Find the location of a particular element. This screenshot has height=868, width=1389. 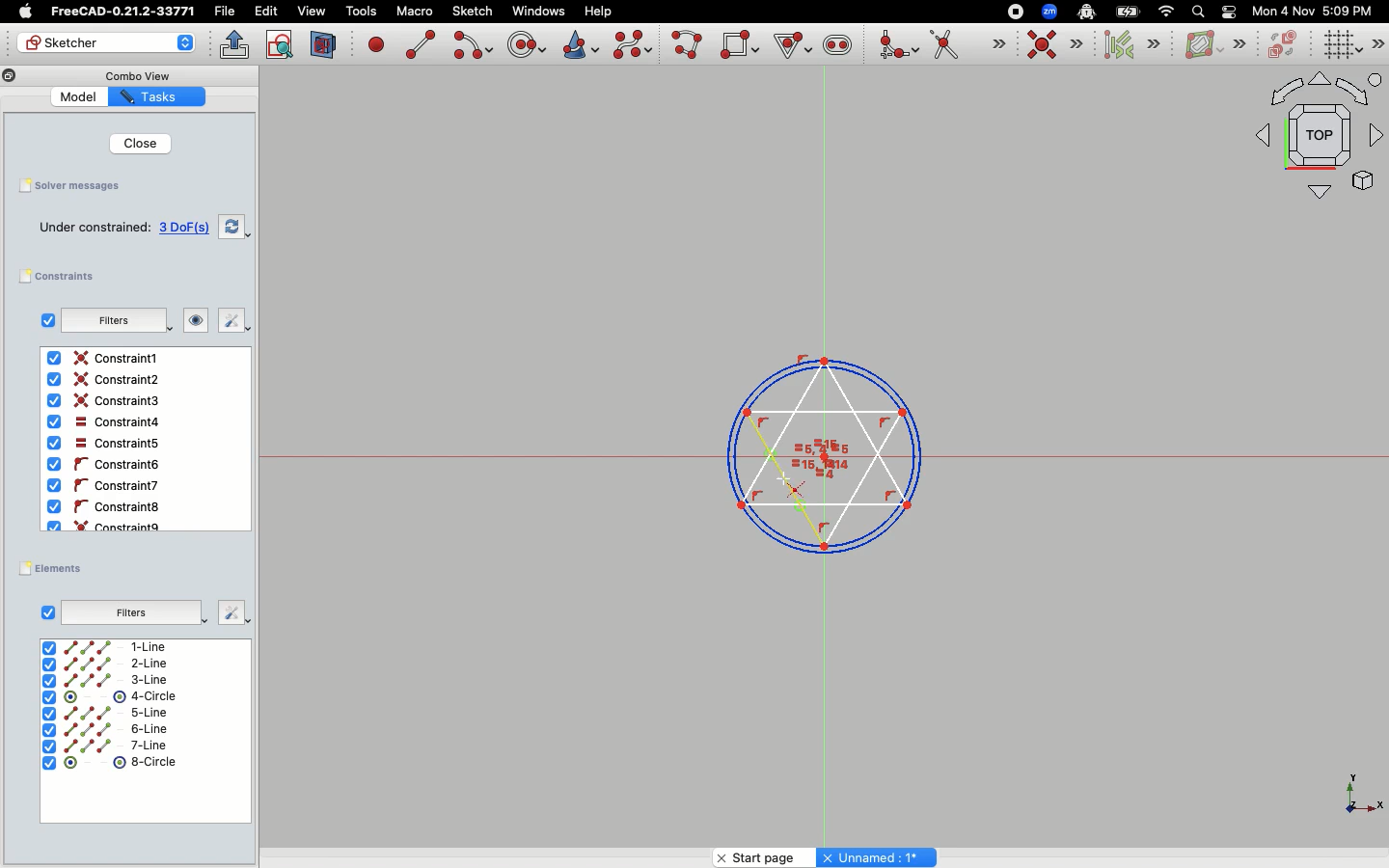

Start page is located at coordinates (760, 854).